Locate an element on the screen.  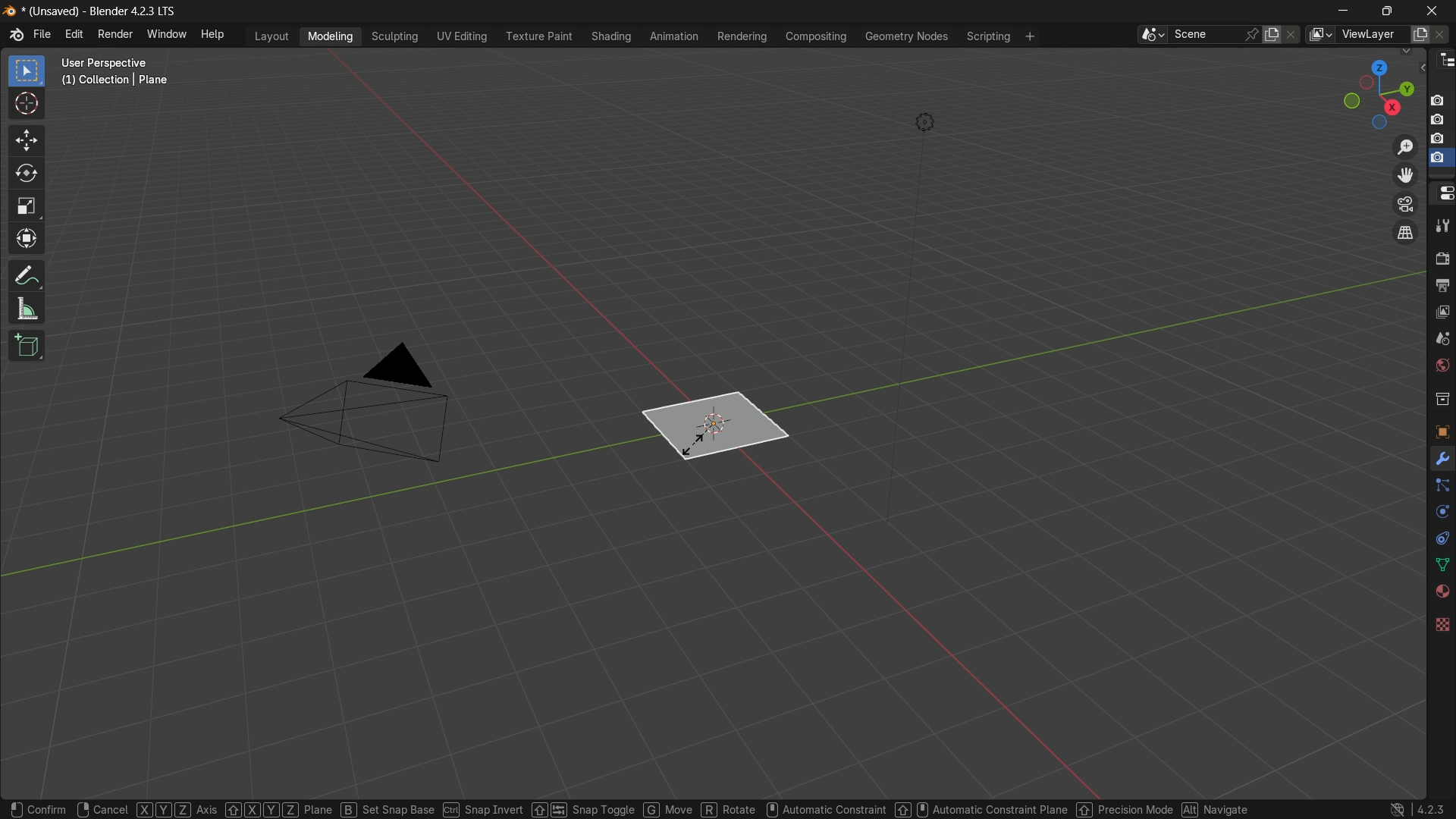
move is located at coordinates (29, 141).